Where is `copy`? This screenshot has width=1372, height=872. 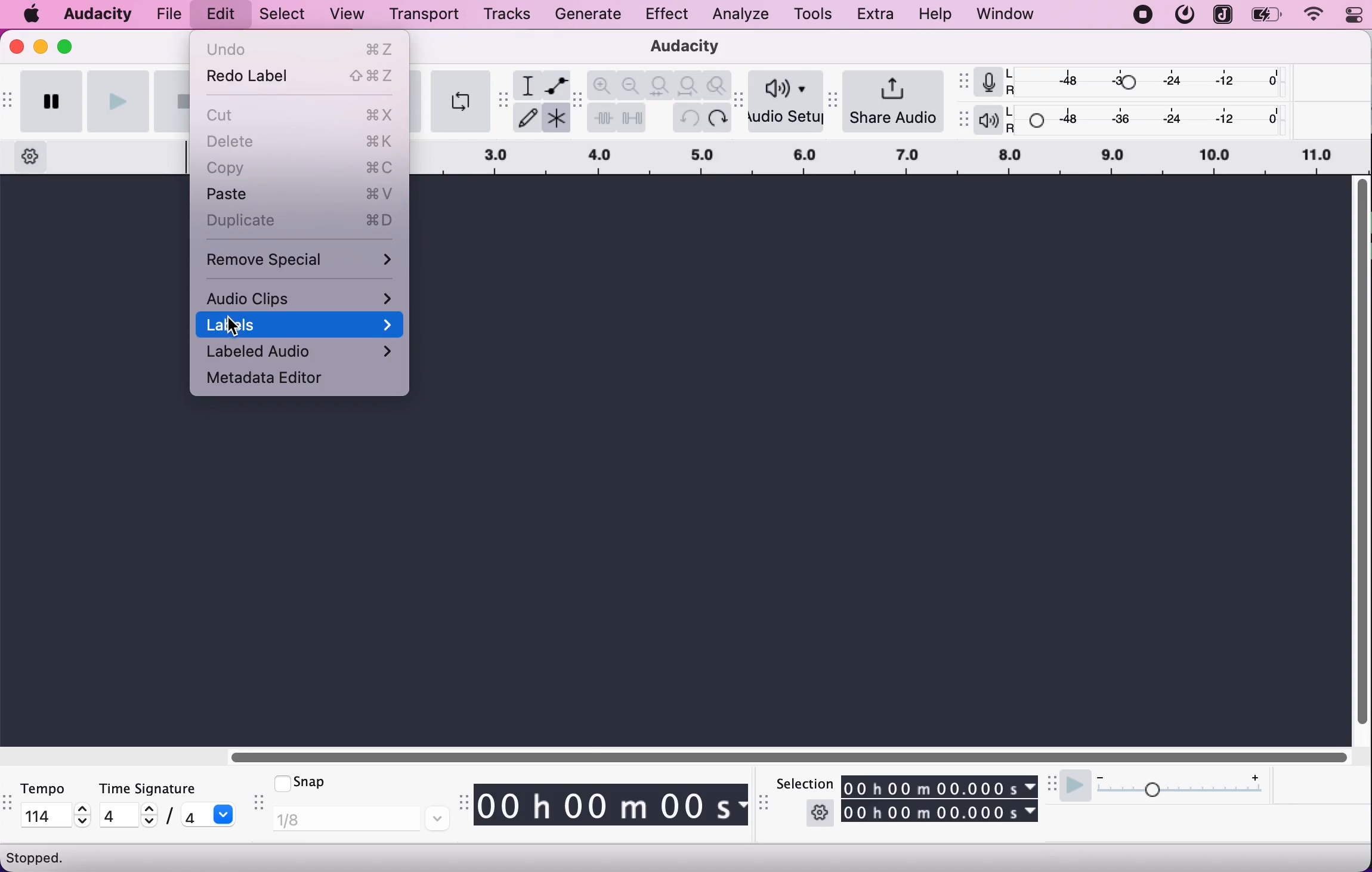
copy is located at coordinates (300, 168).